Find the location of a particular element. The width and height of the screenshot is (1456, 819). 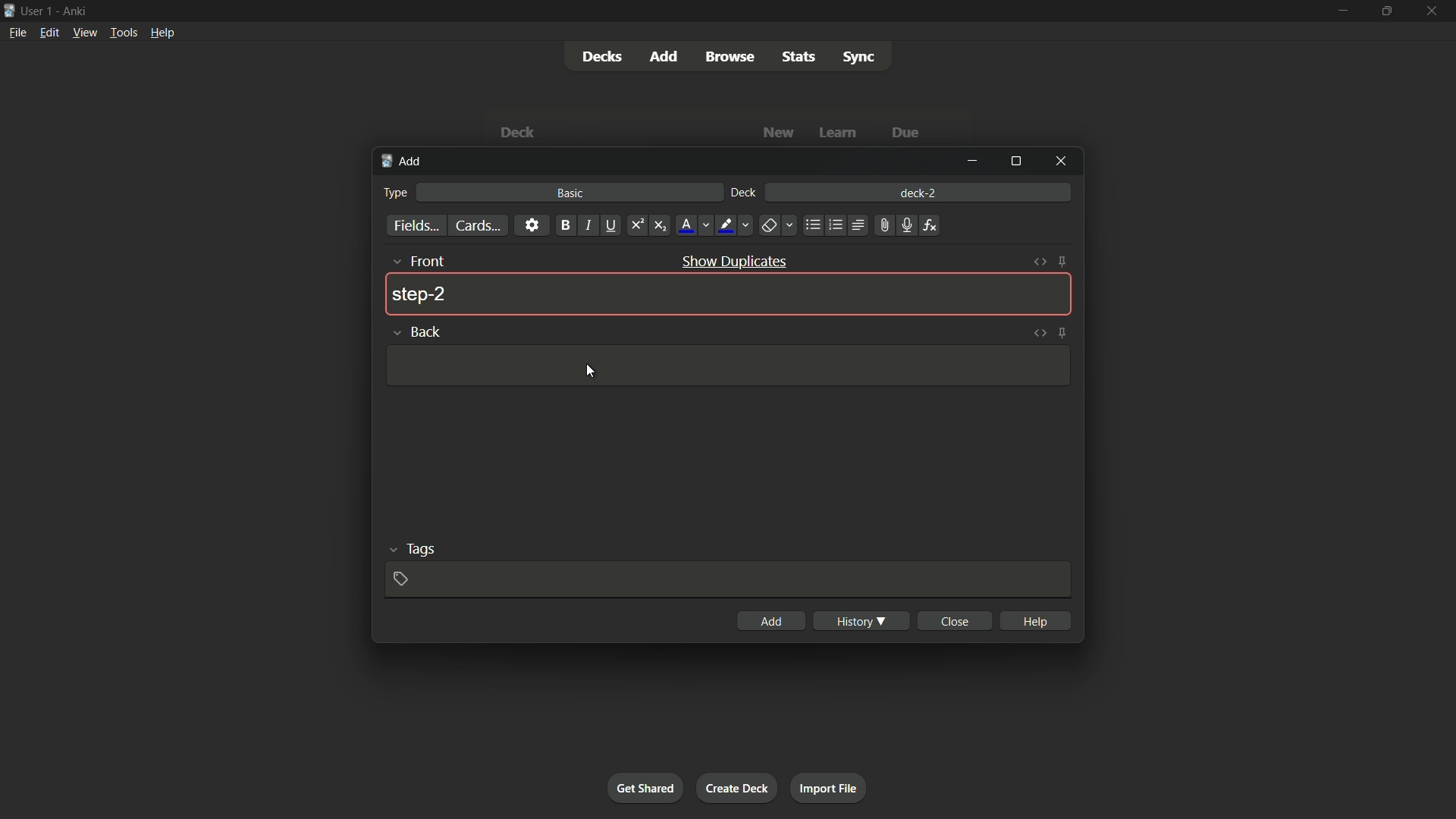

equations is located at coordinates (932, 226).